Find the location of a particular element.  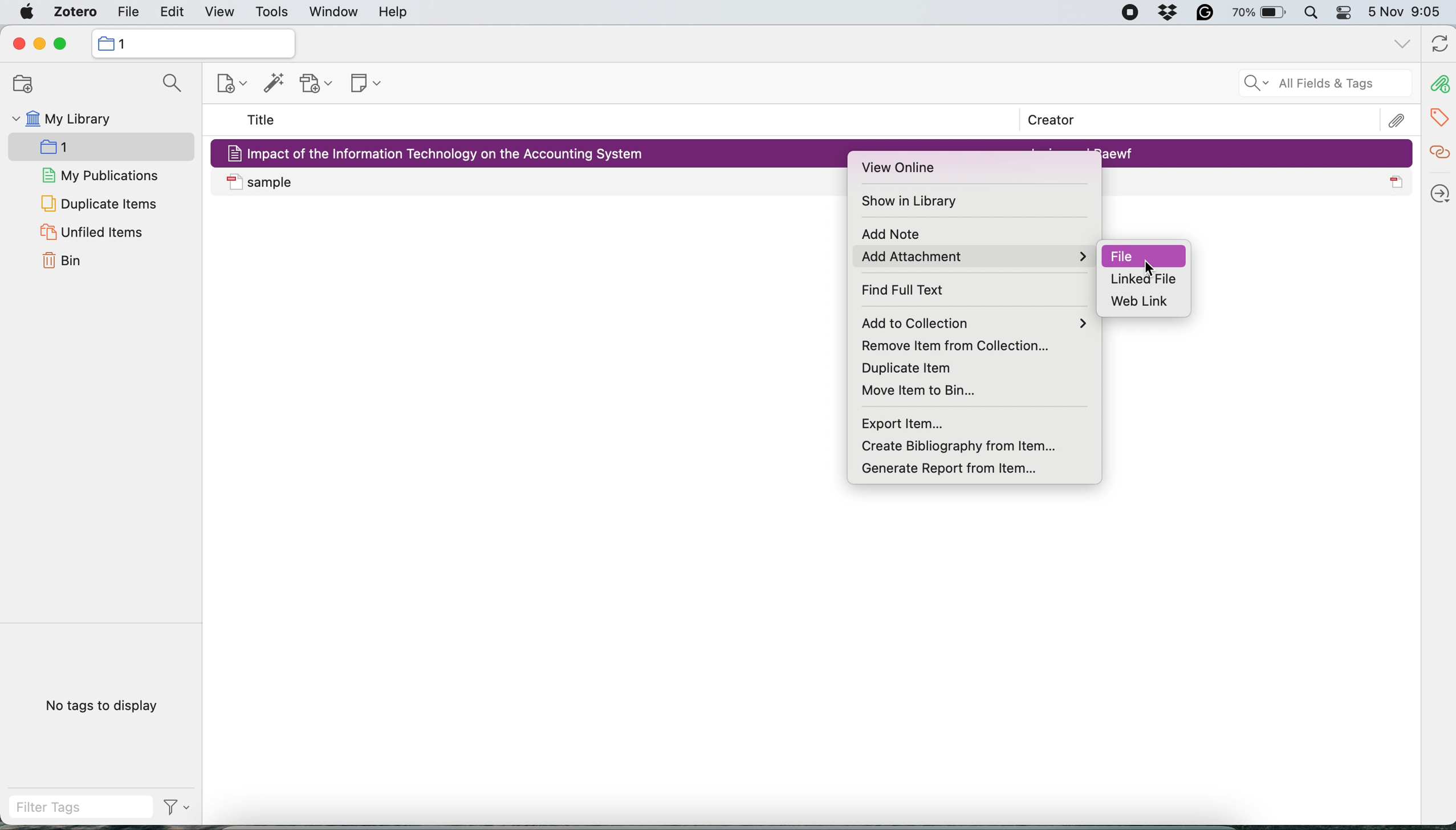

close is located at coordinates (18, 44).